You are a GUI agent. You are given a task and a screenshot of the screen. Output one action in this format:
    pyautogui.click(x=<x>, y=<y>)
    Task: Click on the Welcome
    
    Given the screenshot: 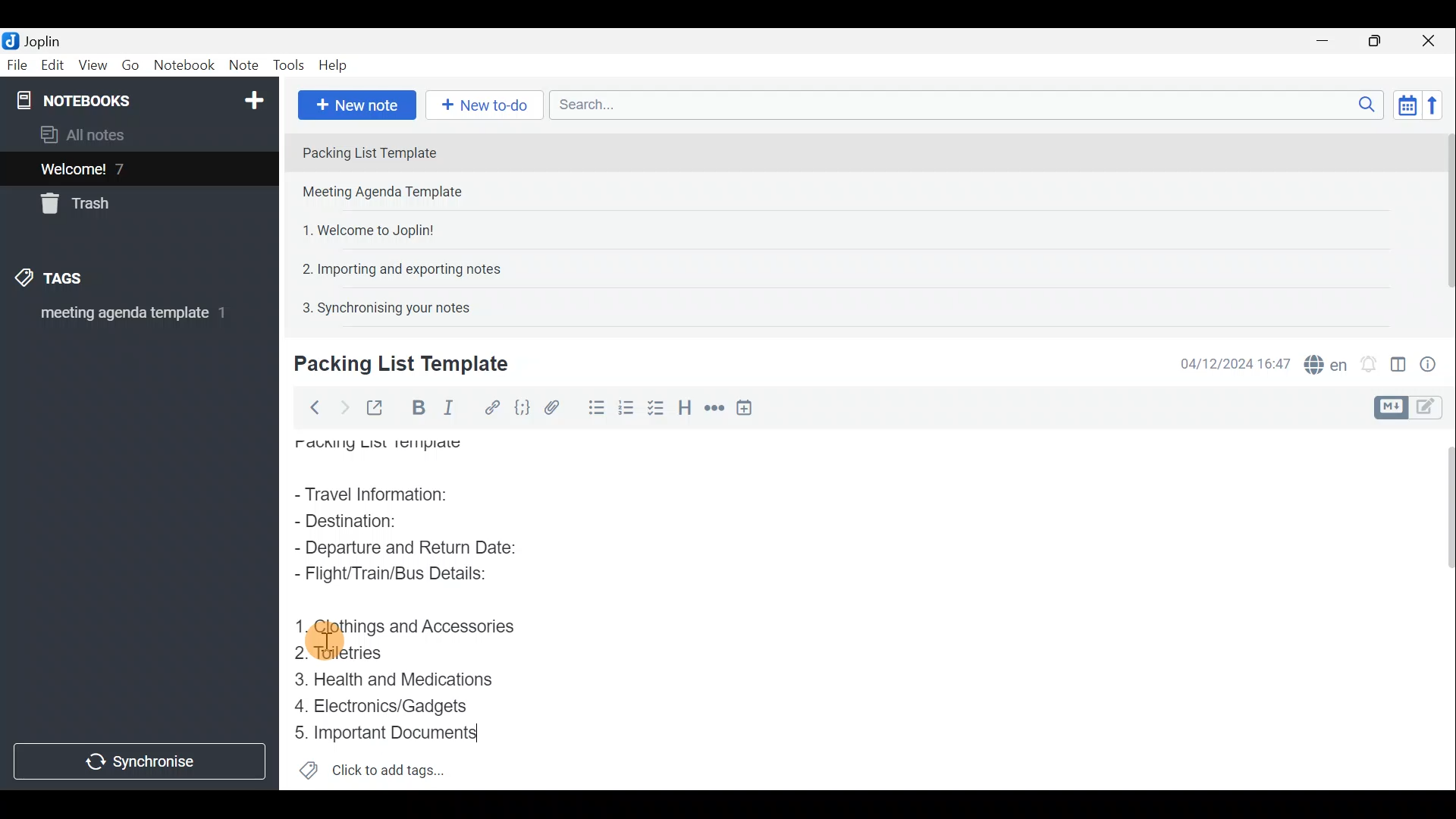 What is the action you would take?
    pyautogui.click(x=116, y=168)
    